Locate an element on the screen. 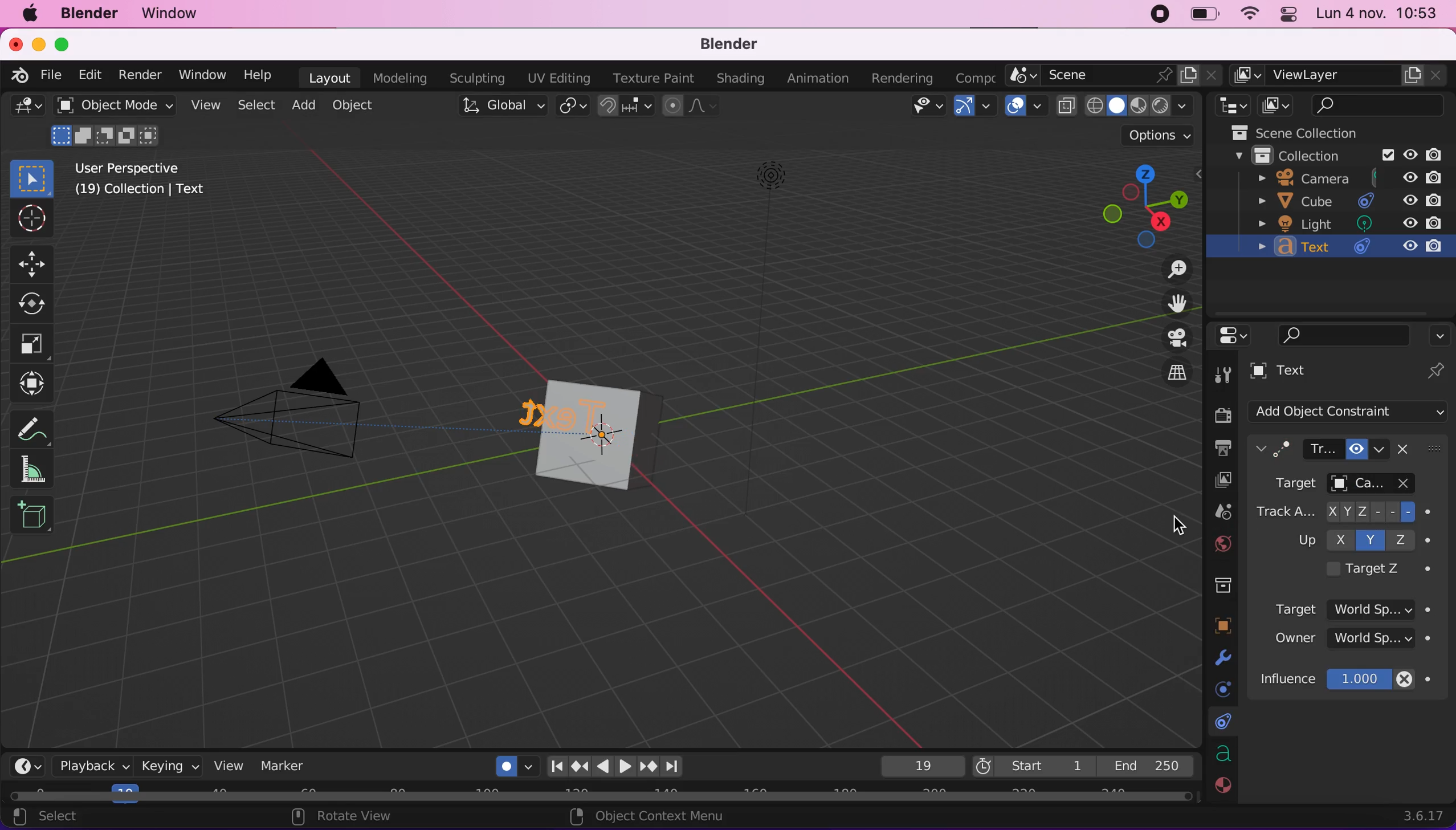  file is located at coordinates (52, 74).